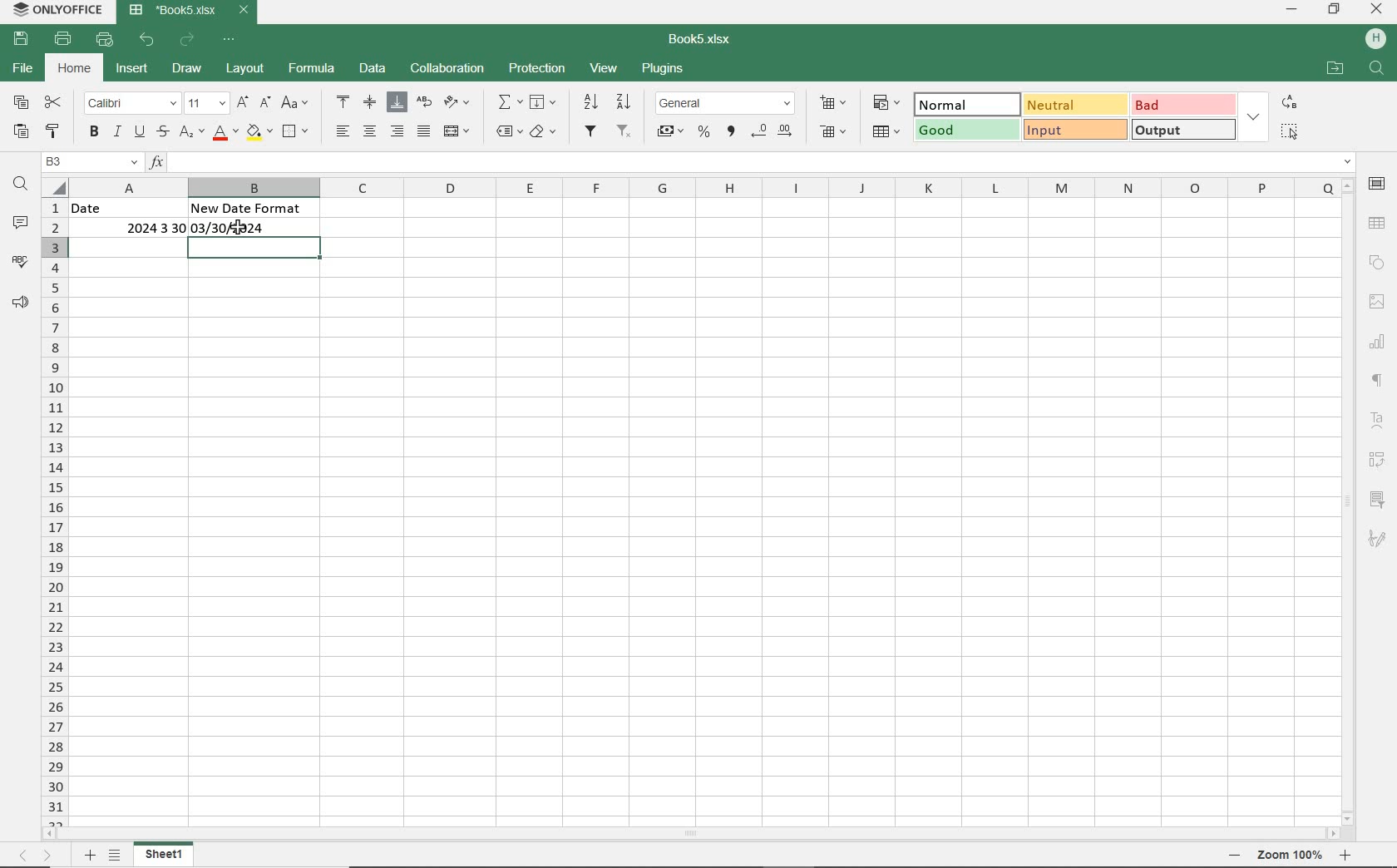 This screenshot has width=1397, height=868. I want to click on ALIGN MIDDLE, so click(370, 103).